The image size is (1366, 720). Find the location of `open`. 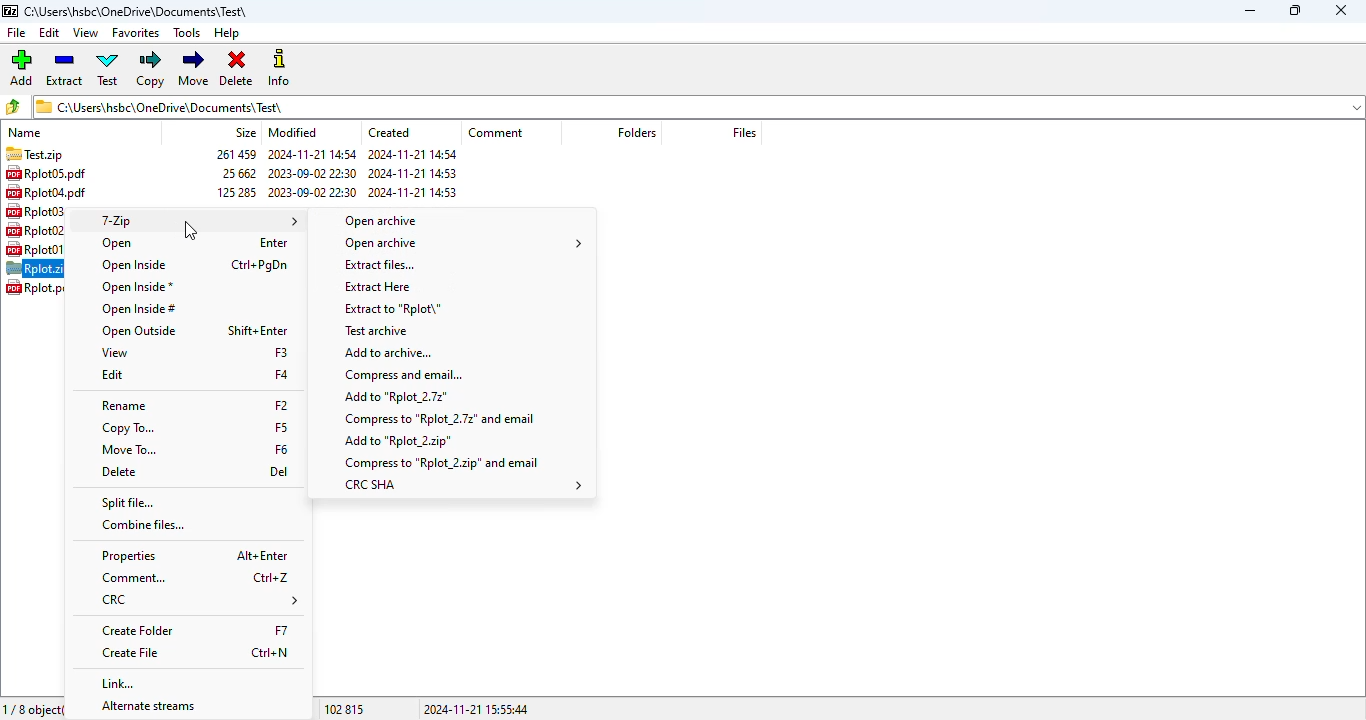

open is located at coordinates (117, 243).